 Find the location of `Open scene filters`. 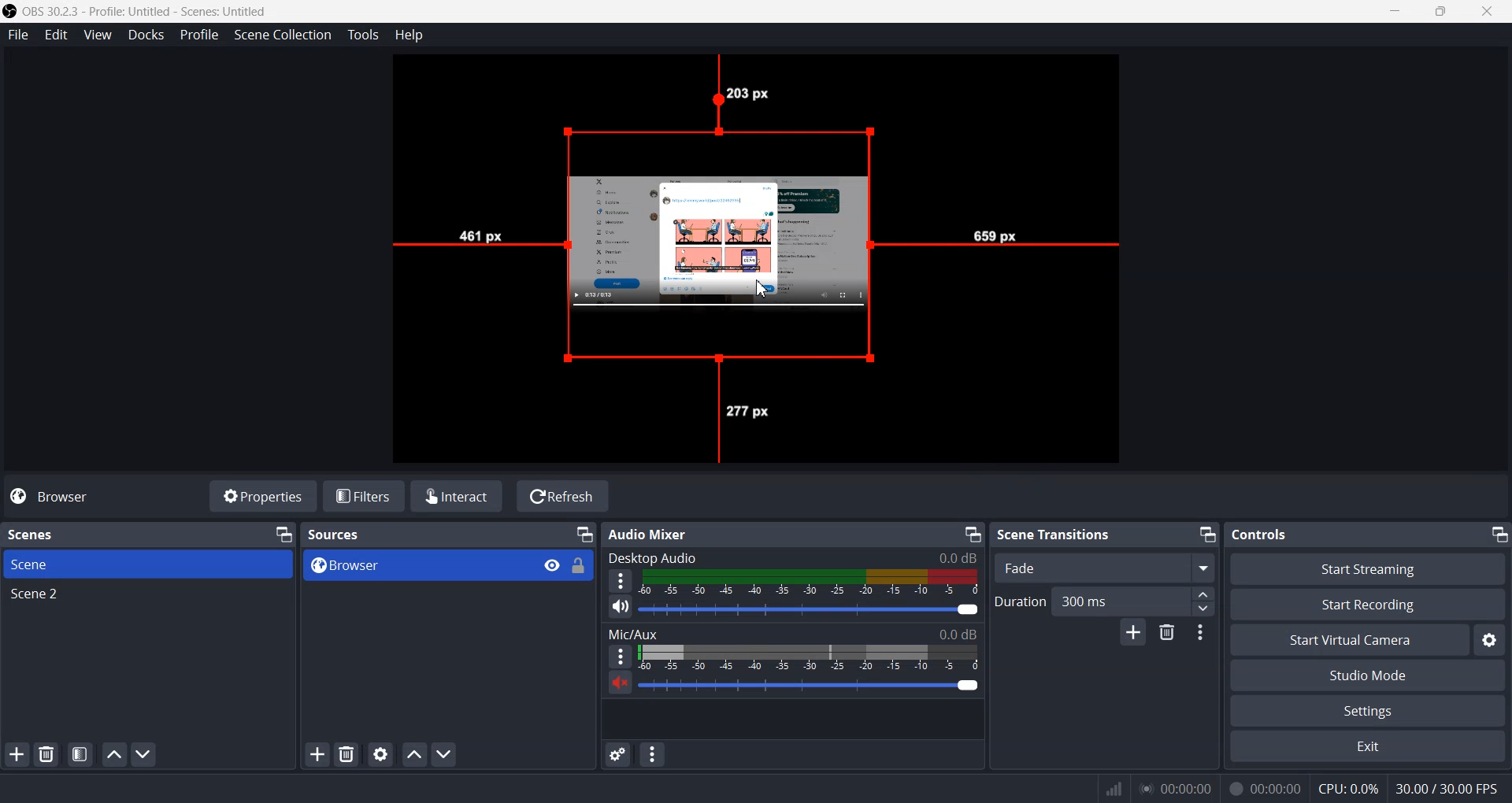

Open scene filters is located at coordinates (79, 754).